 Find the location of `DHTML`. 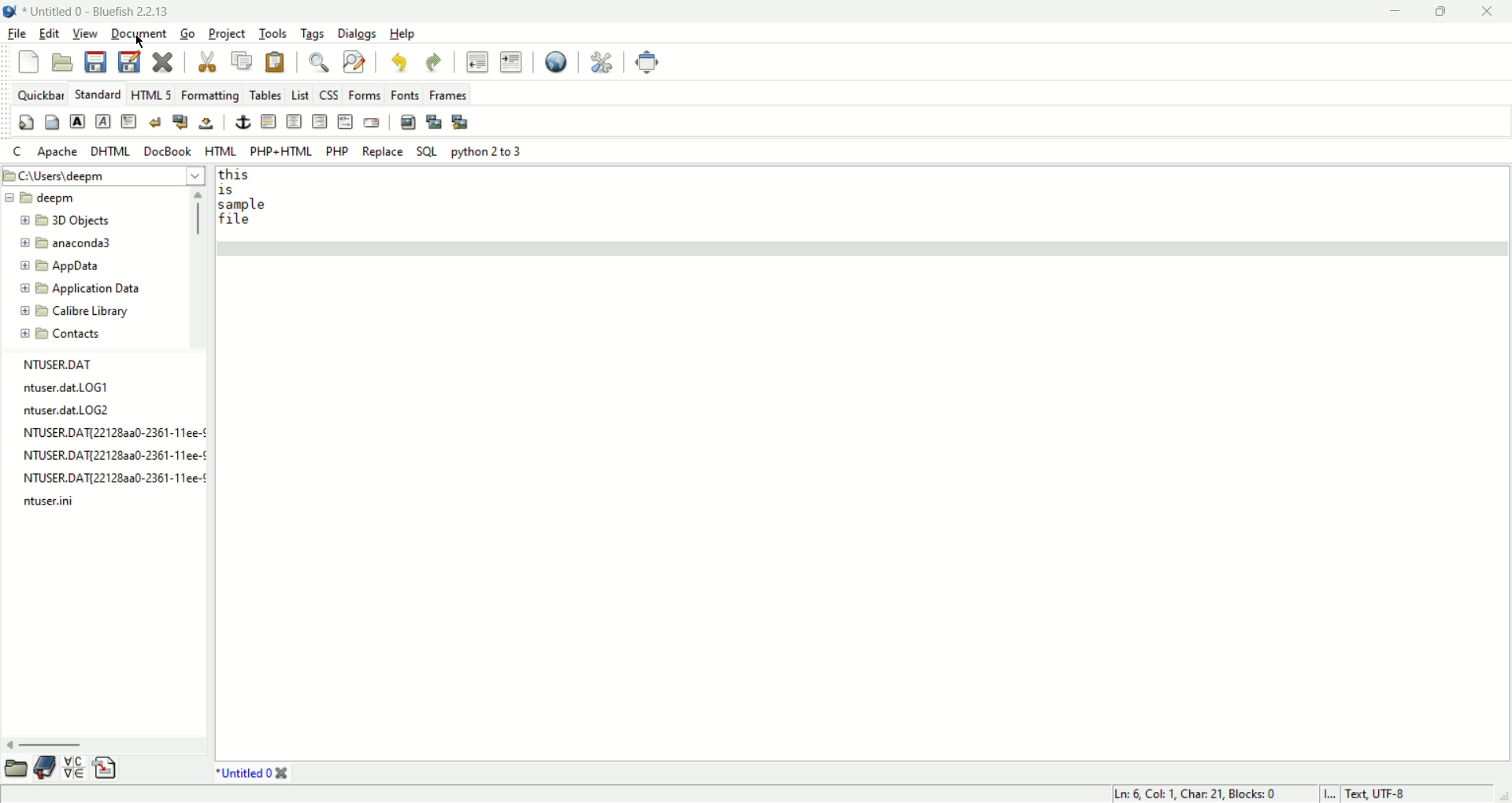

DHTML is located at coordinates (110, 152).